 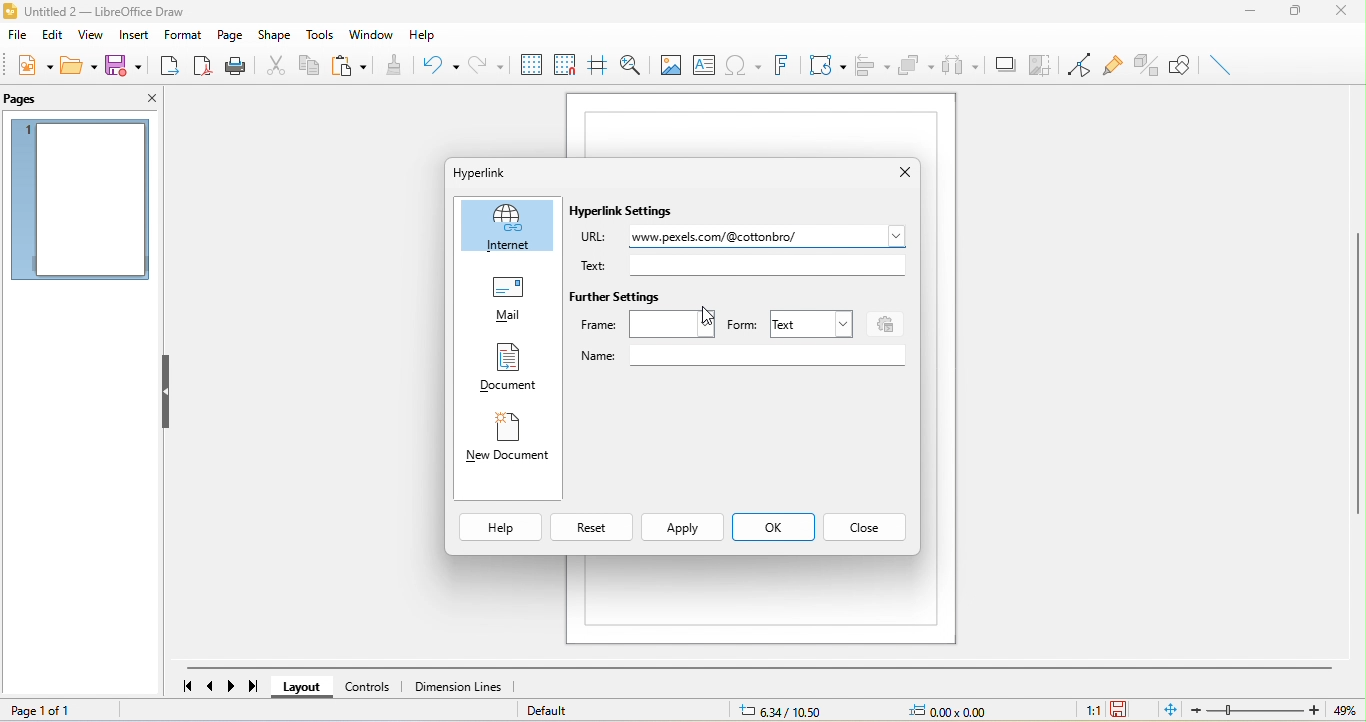 What do you see at coordinates (304, 687) in the screenshot?
I see `layout` at bounding box center [304, 687].